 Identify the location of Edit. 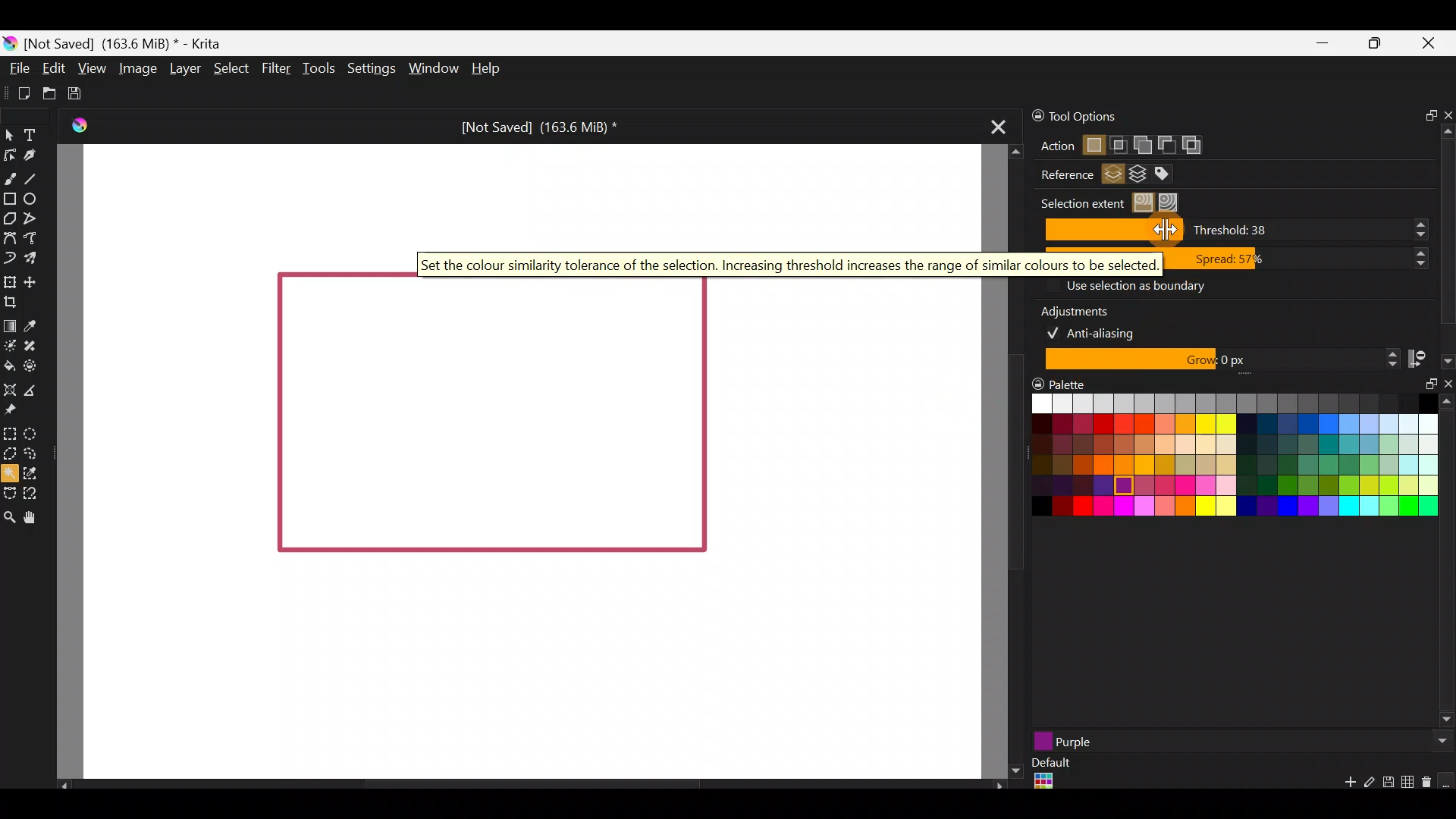
(53, 69).